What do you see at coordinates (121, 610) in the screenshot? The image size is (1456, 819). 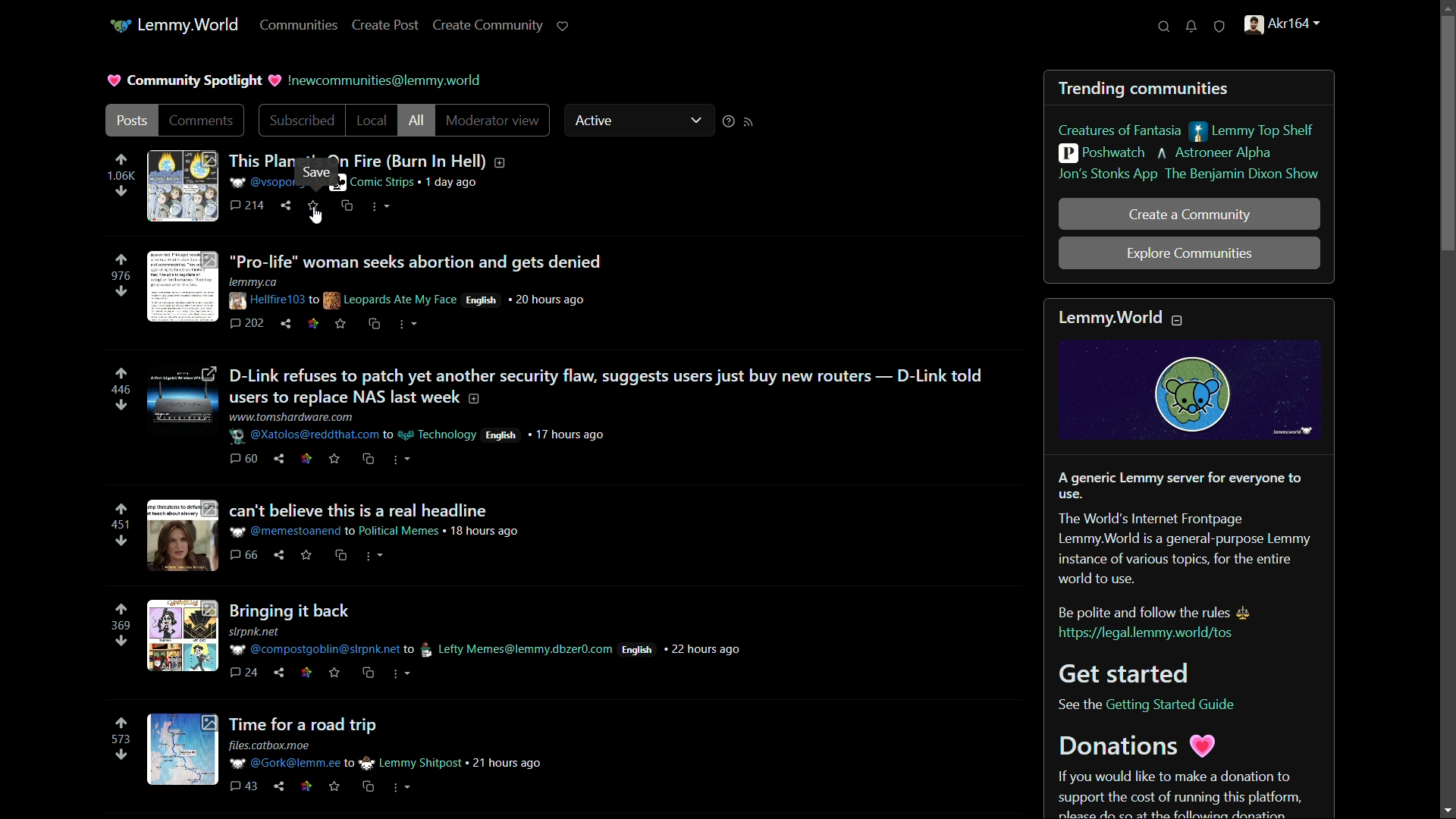 I see `upvote` at bounding box center [121, 610].